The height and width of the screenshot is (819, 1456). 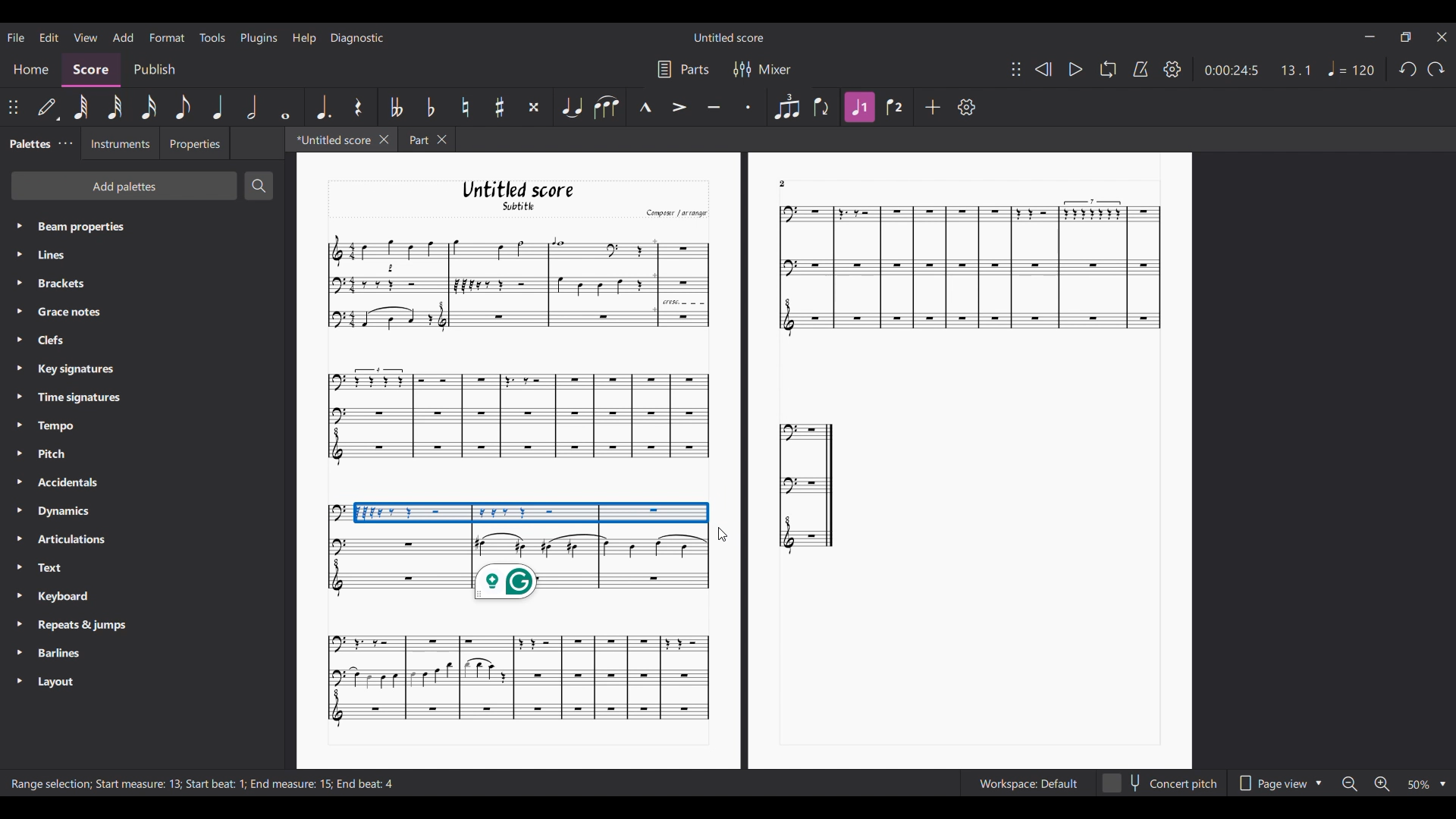 What do you see at coordinates (500, 107) in the screenshot?
I see `Toggle sharp` at bounding box center [500, 107].